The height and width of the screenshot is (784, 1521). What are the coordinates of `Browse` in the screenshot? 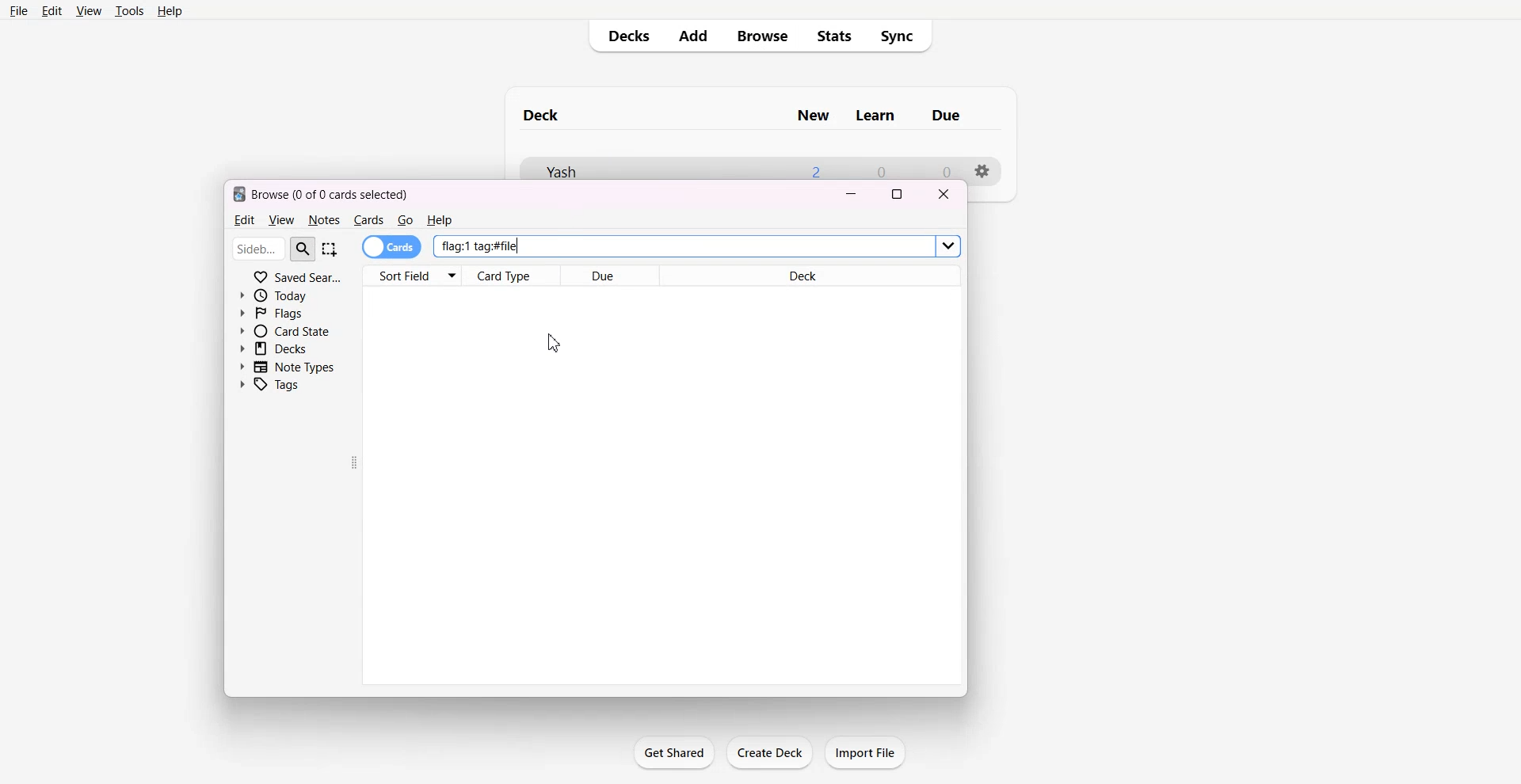 It's located at (764, 36).